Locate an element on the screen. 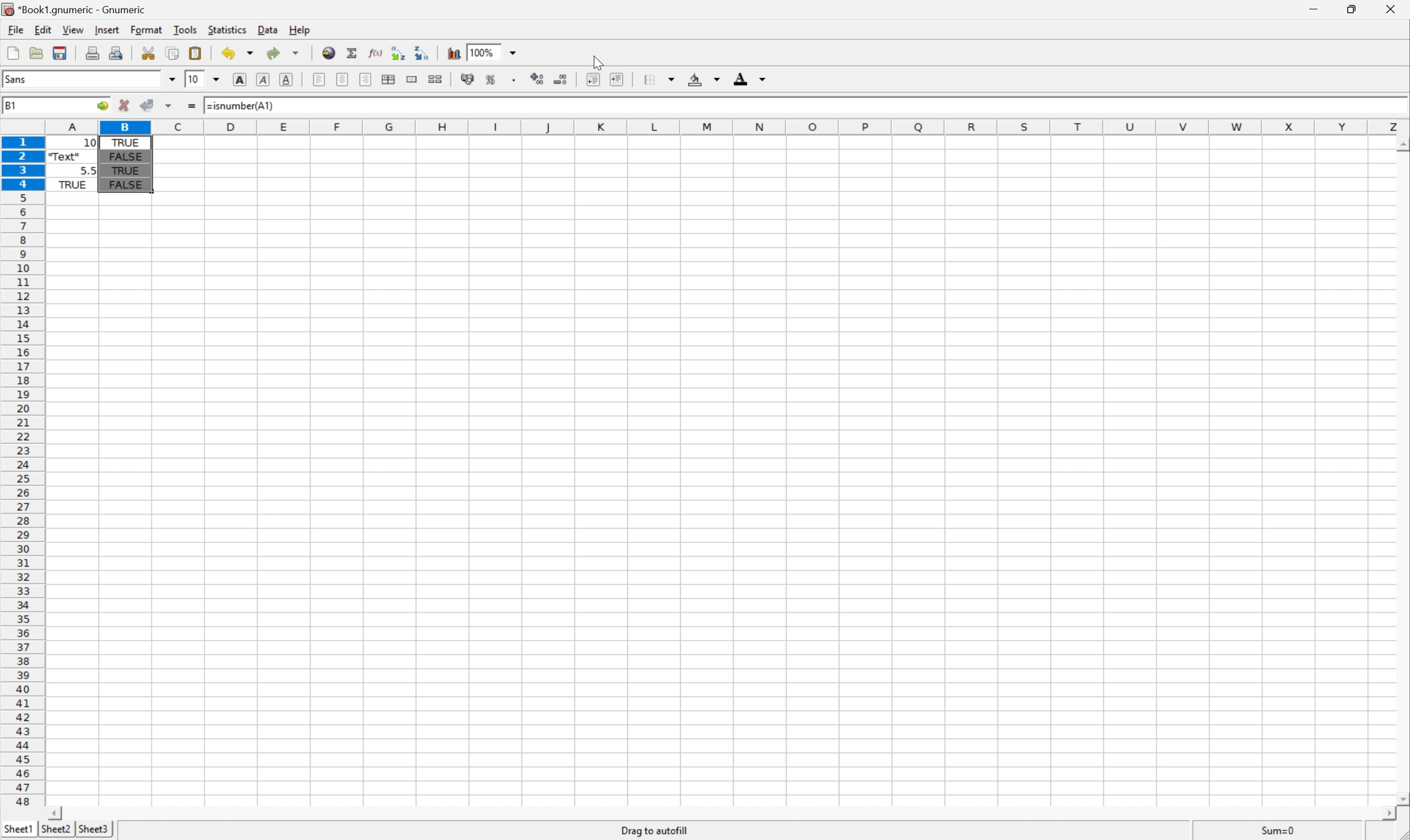 The height and width of the screenshot is (840, 1410). Align Right is located at coordinates (364, 80).